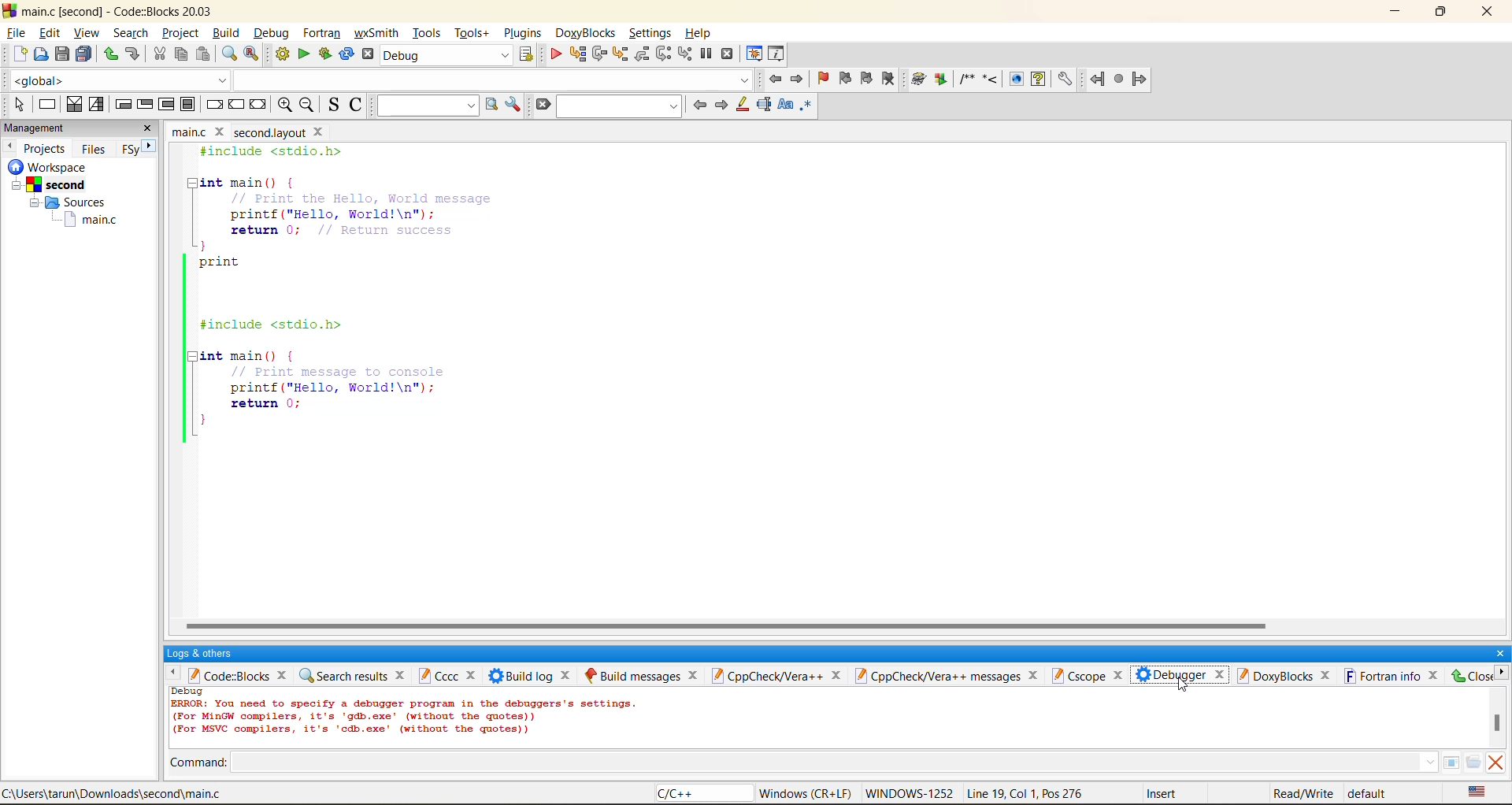 The height and width of the screenshot is (805, 1512). I want to click on clear console, so click(1501, 762).